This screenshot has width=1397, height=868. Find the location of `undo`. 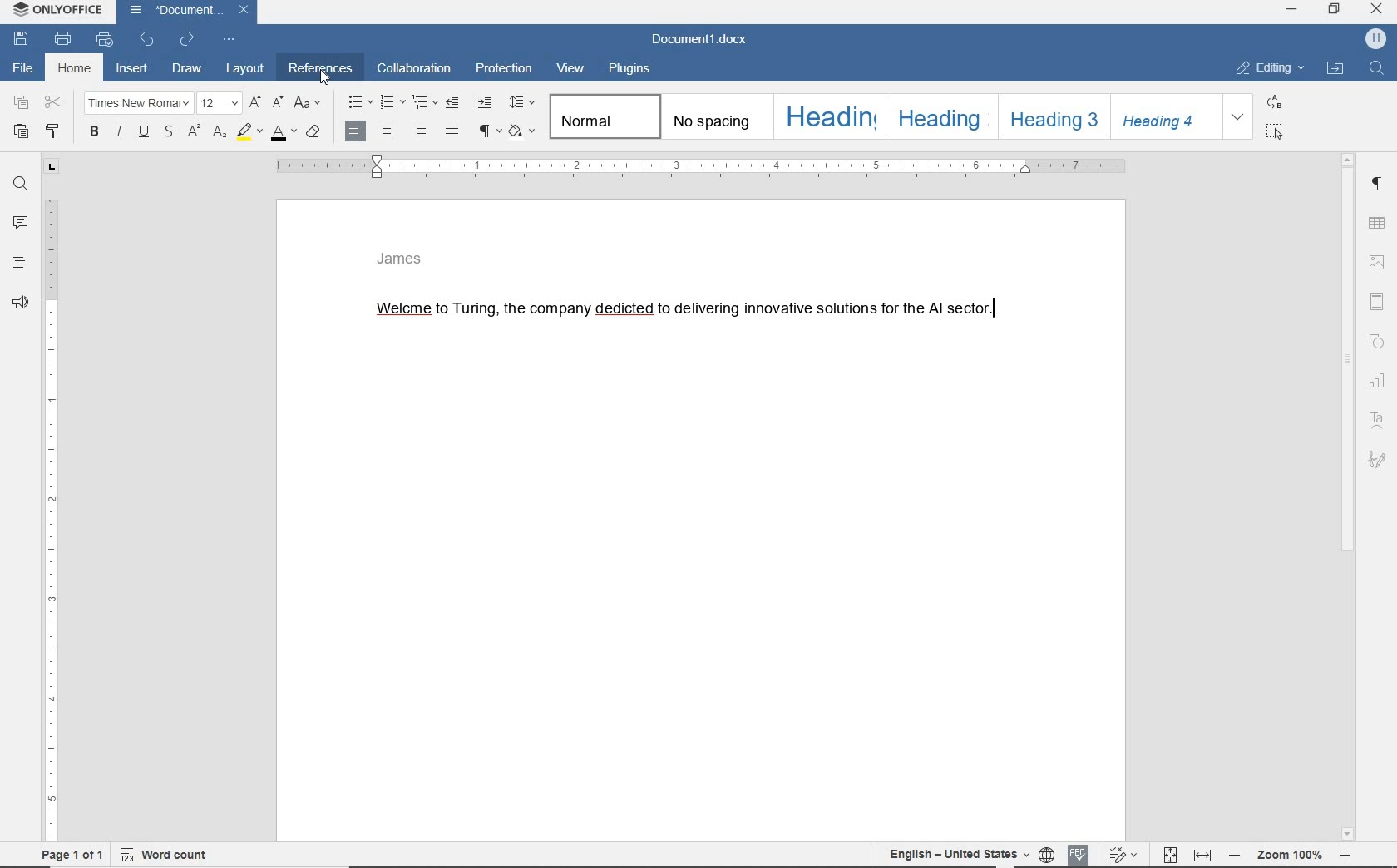

undo is located at coordinates (146, 40).